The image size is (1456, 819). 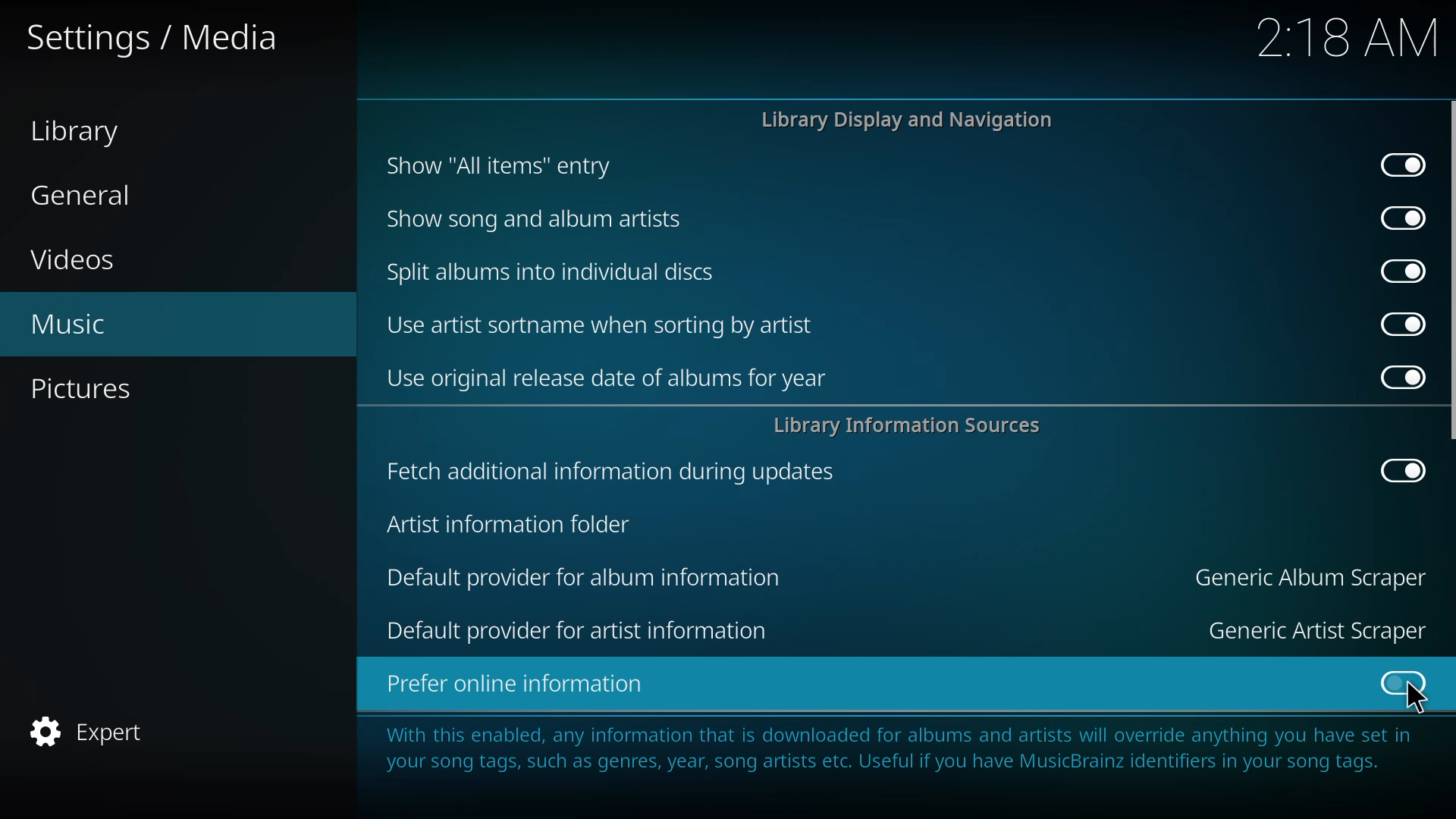 What do you see at coordinates (1347, 38) in the screenshot?
I see `time` at bounding box center [1347, 38].